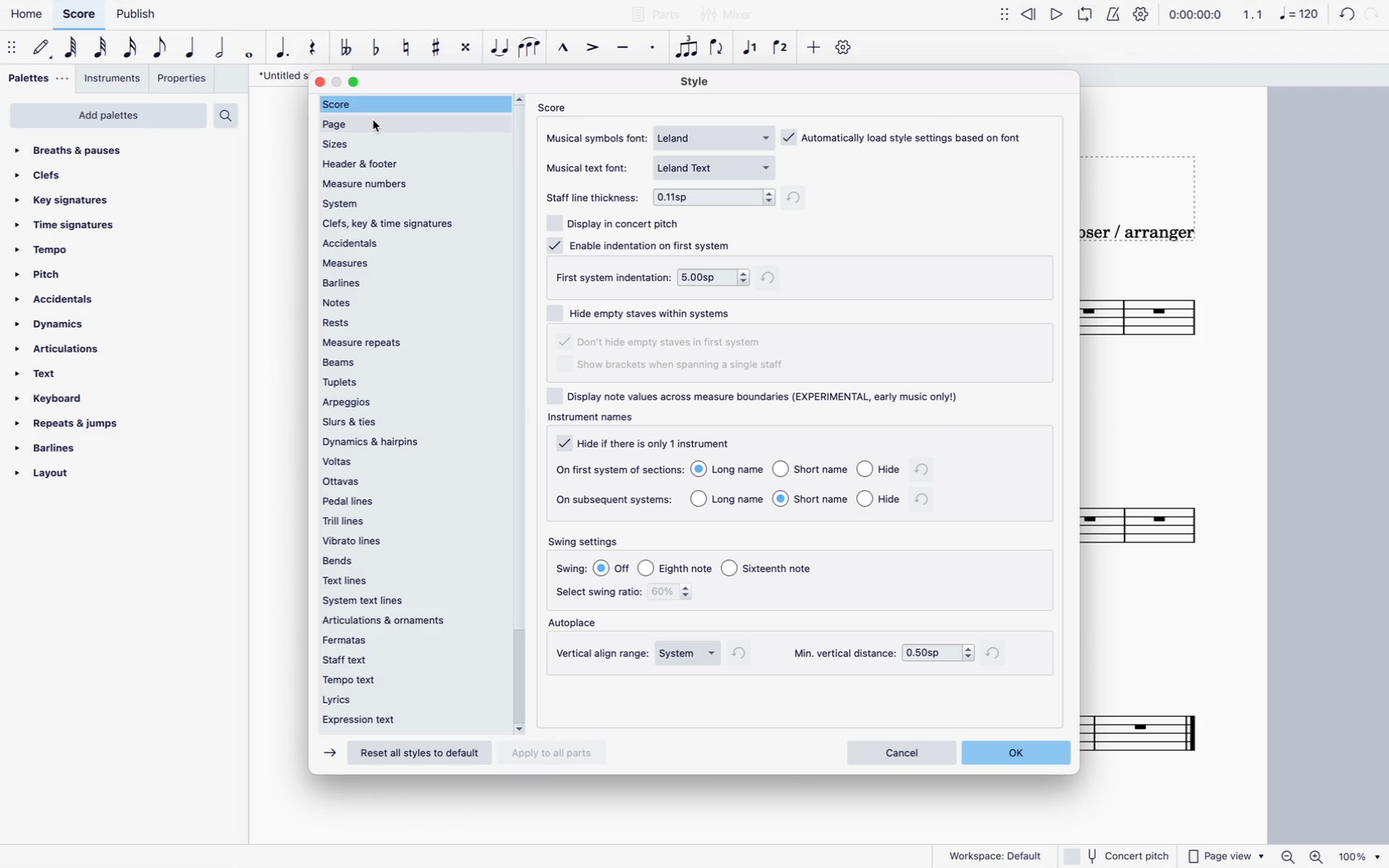 The width and height of the screenshot is (1389, 868). Describe the element at coordinates (409, 501) in the screenshot. I see `pedal lines` at that location.